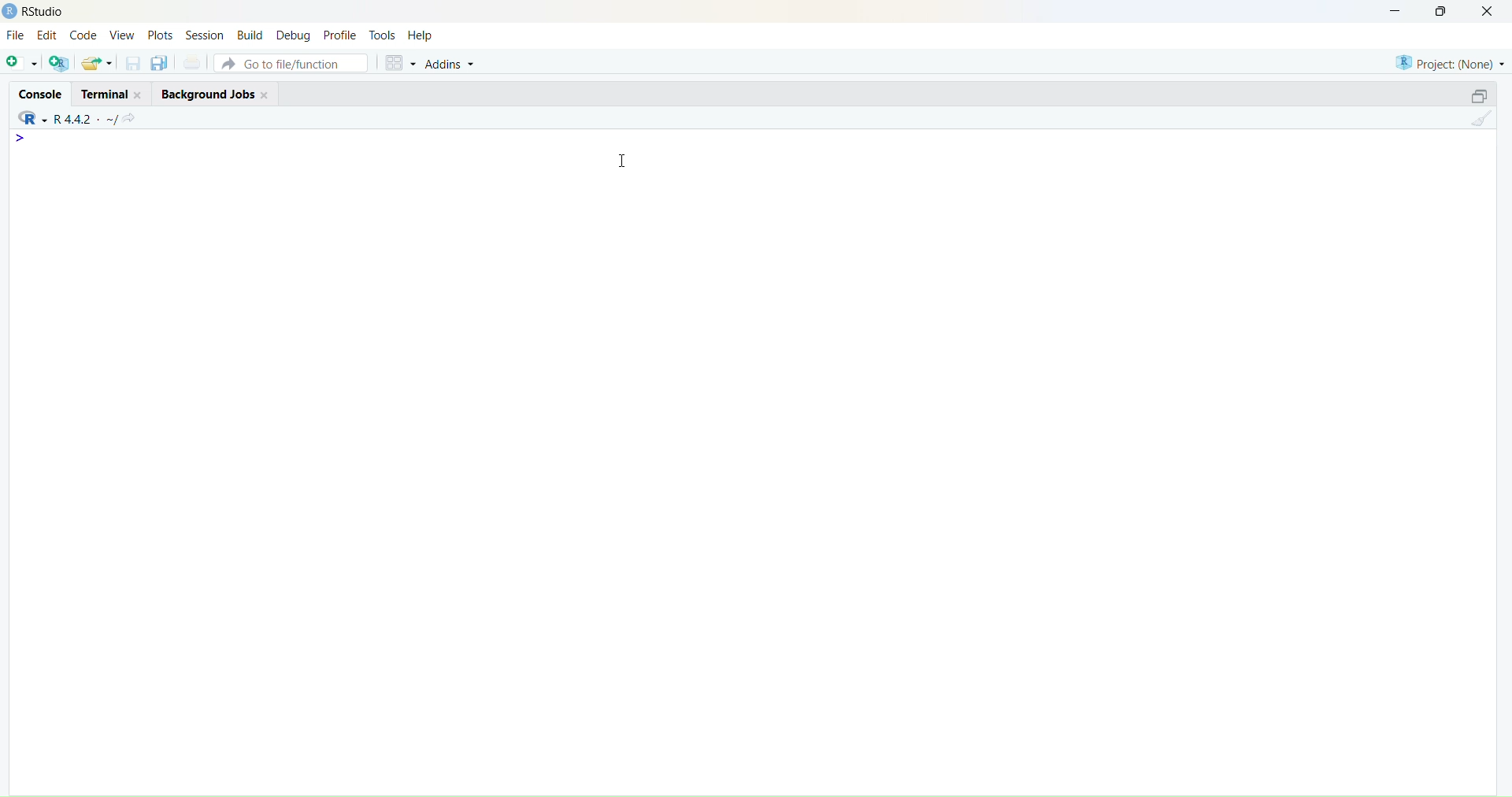 The width and height of the screenshot is (1512, 797). I want to click on Prompt cursor, so click(24, 144).